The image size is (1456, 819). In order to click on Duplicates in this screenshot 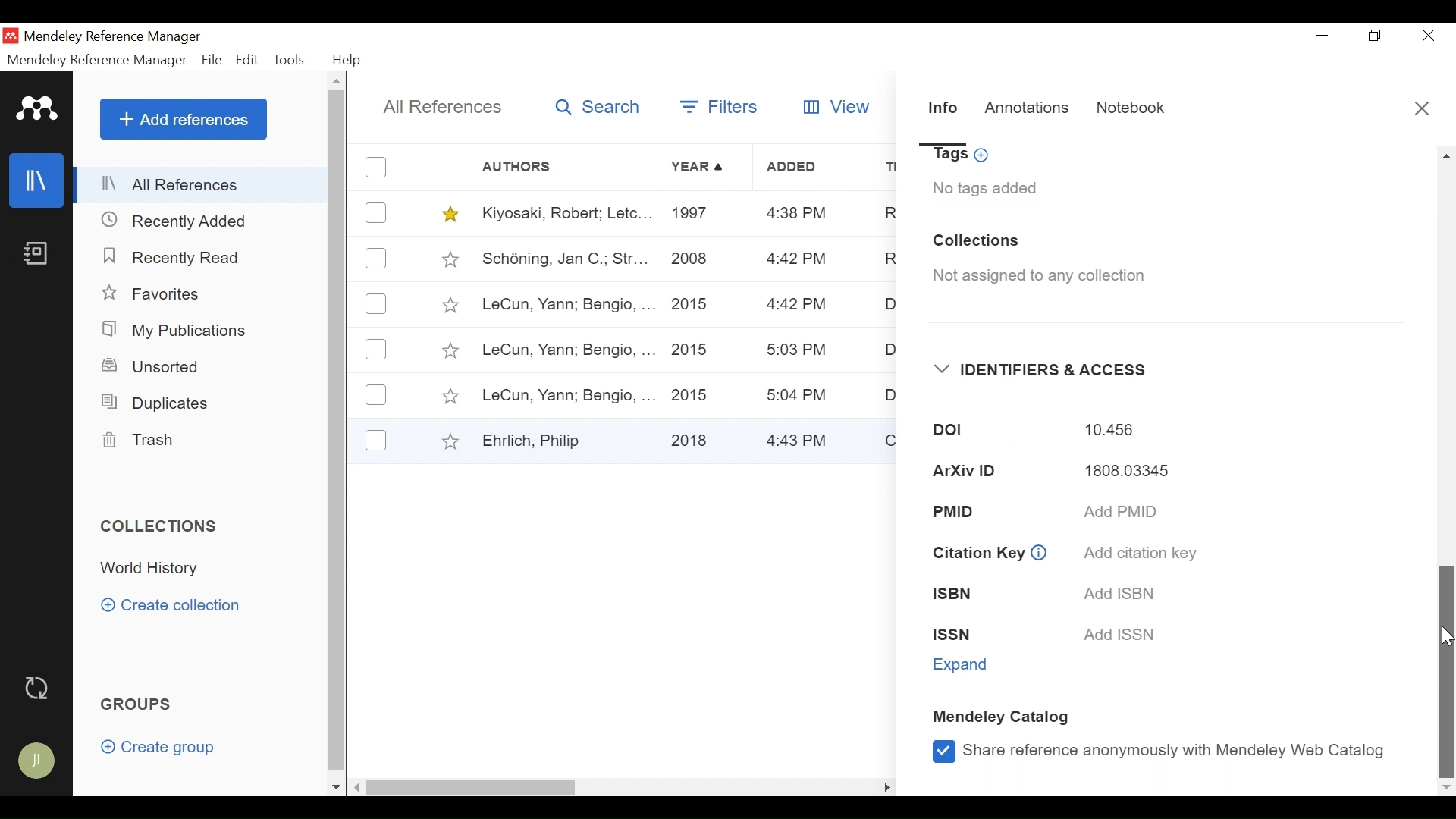, I will do `click(152, 403)`.